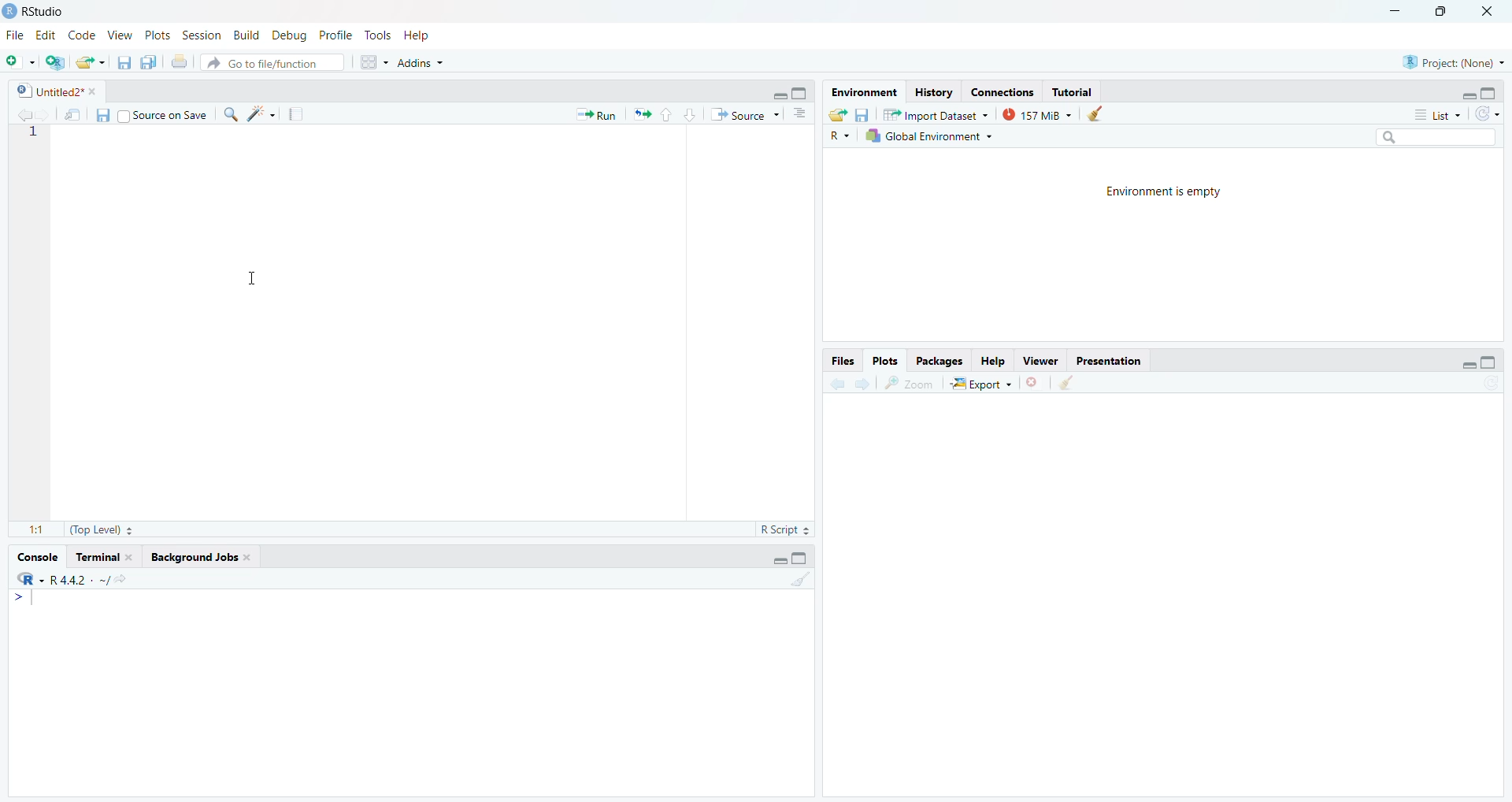 Image resolution: width=1512 pixels, height=802 pixels. What do you see at coordinates (838, 383) in the screenshot?
I see `previous plot` at bounding box center [838, 383].